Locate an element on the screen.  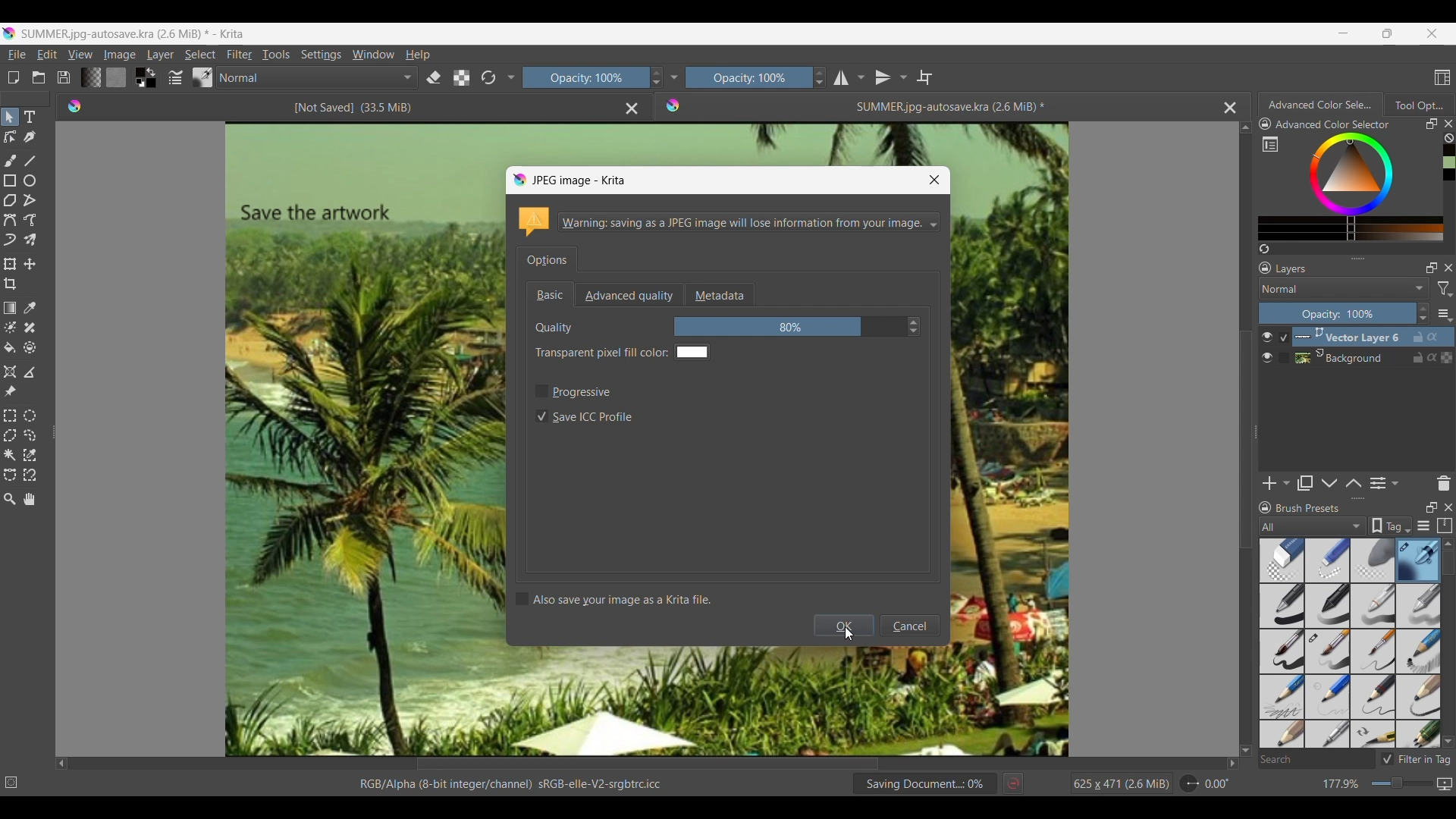
Image/Artwork space is located at coordinates (1095, 441).